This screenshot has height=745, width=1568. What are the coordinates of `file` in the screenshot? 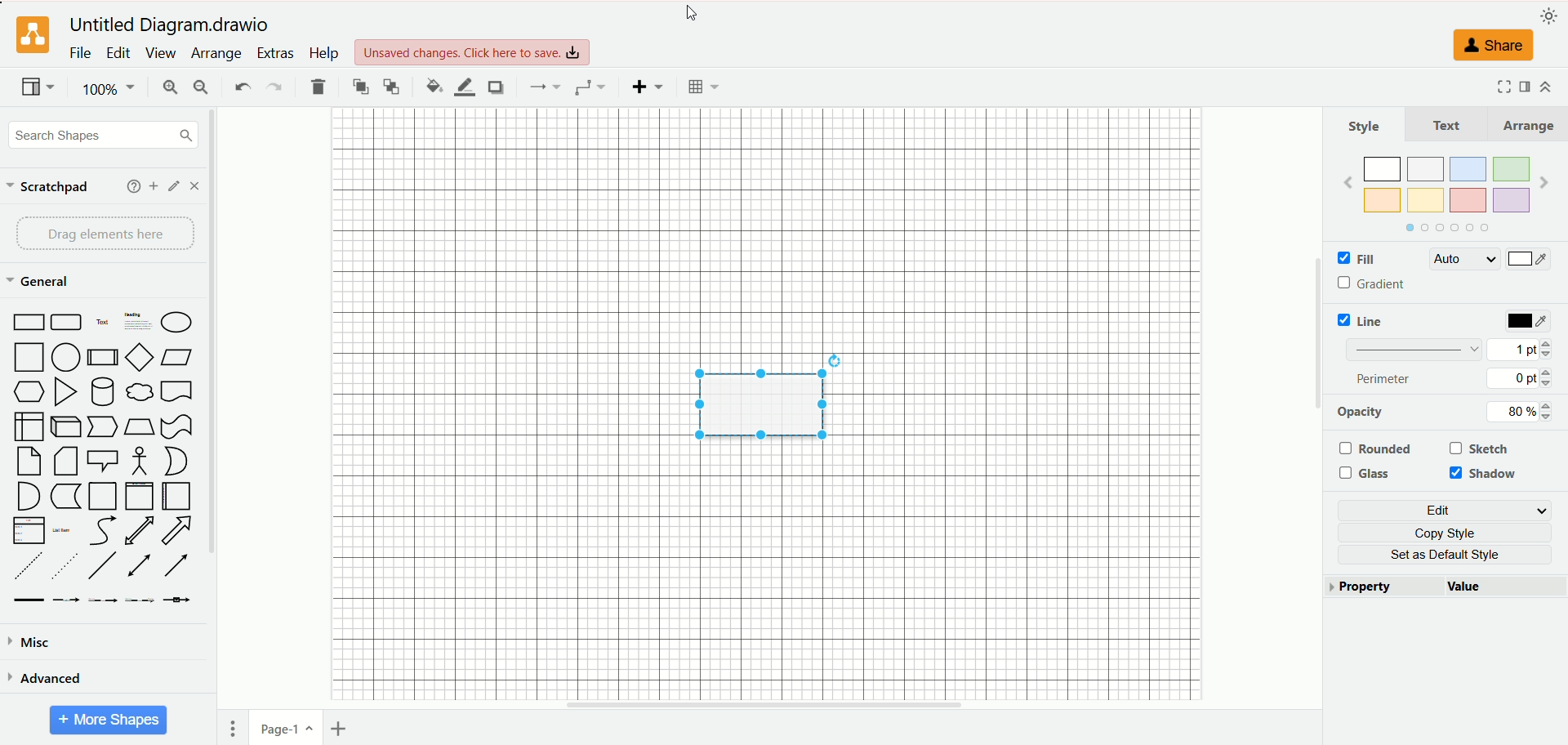 It's located at (81, 52).